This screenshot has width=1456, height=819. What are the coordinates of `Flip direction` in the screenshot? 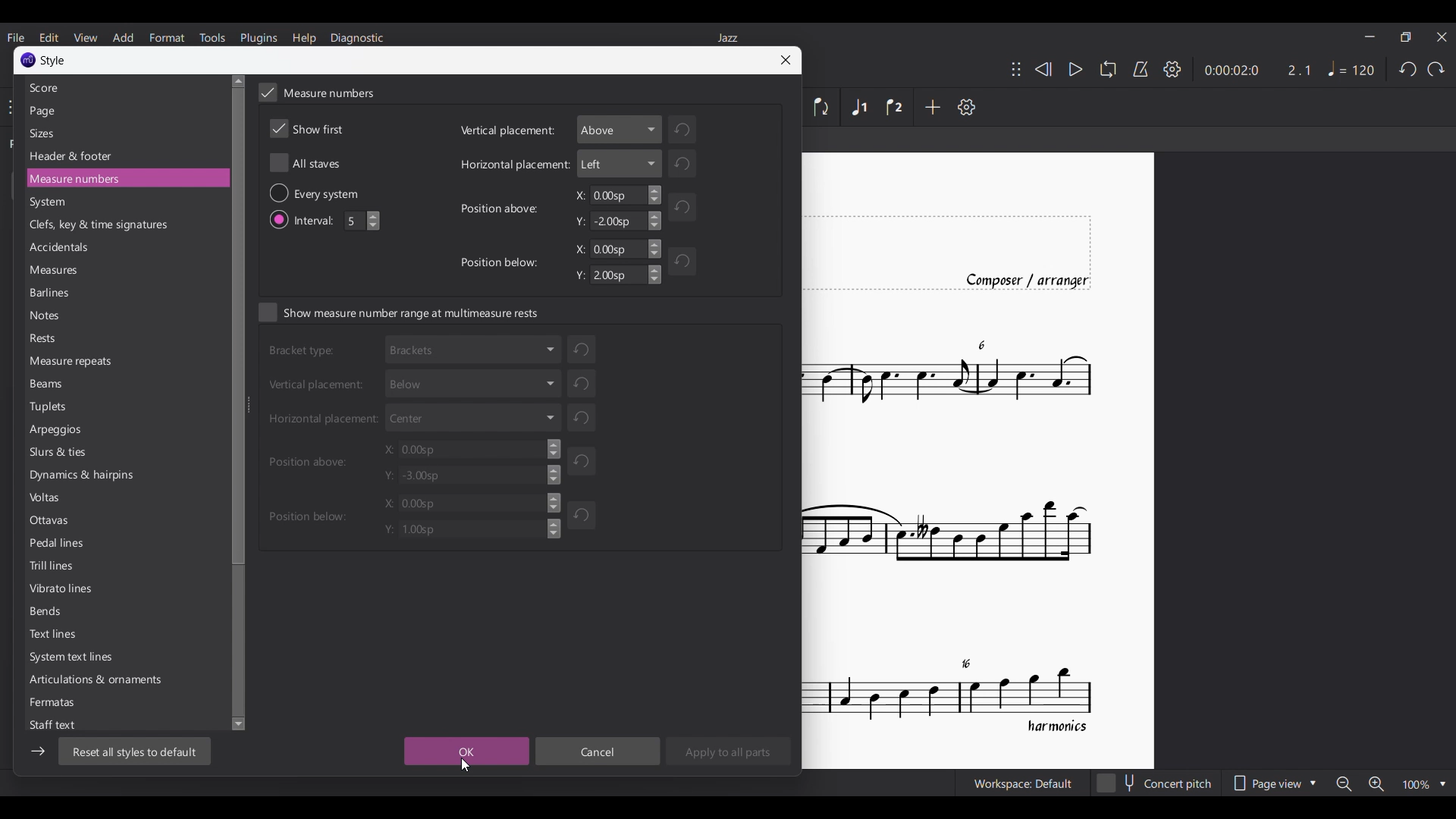 It's located at (824, 107).